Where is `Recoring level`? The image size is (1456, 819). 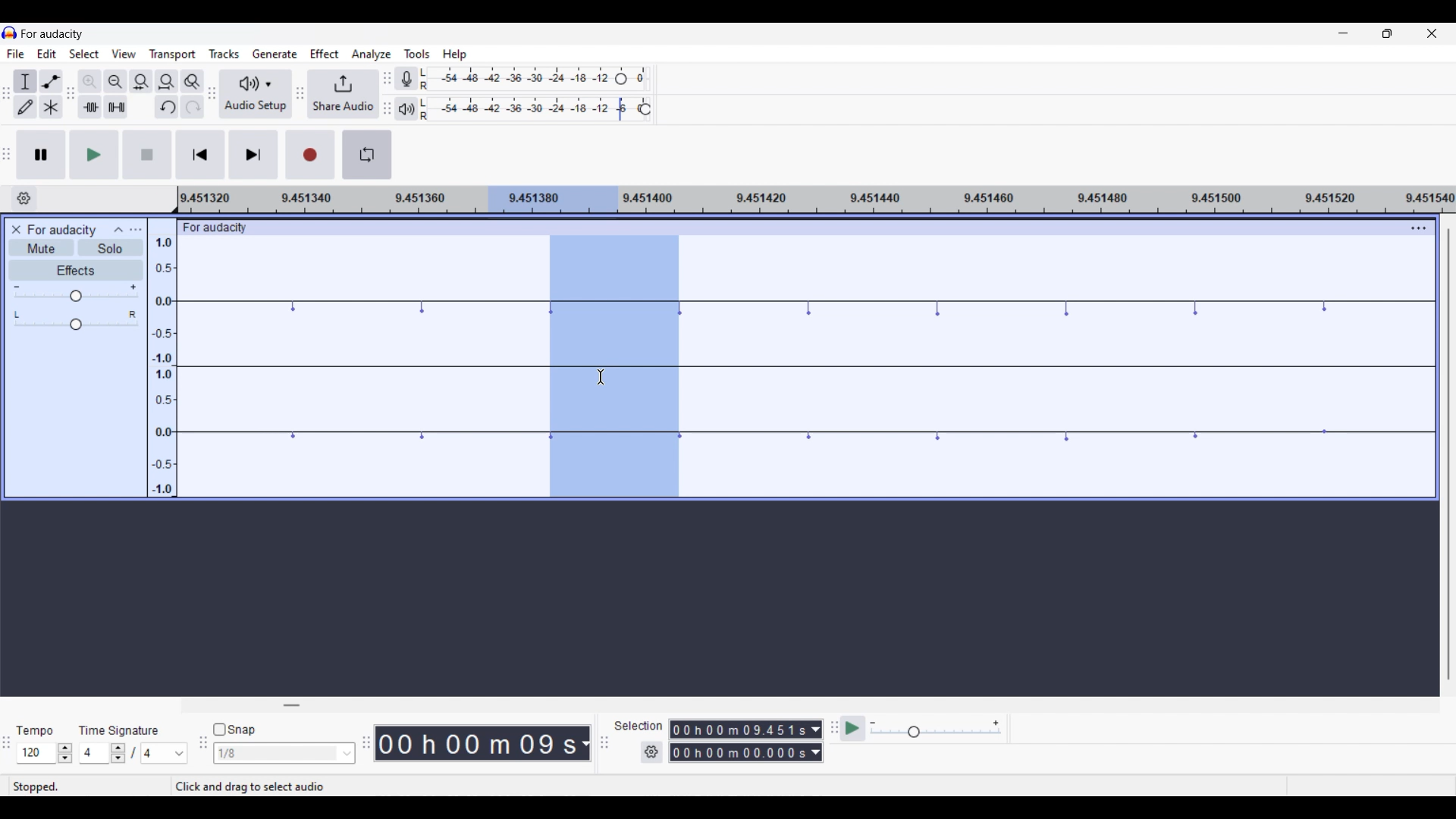
Recoring level is located at coordinates (536, 79).